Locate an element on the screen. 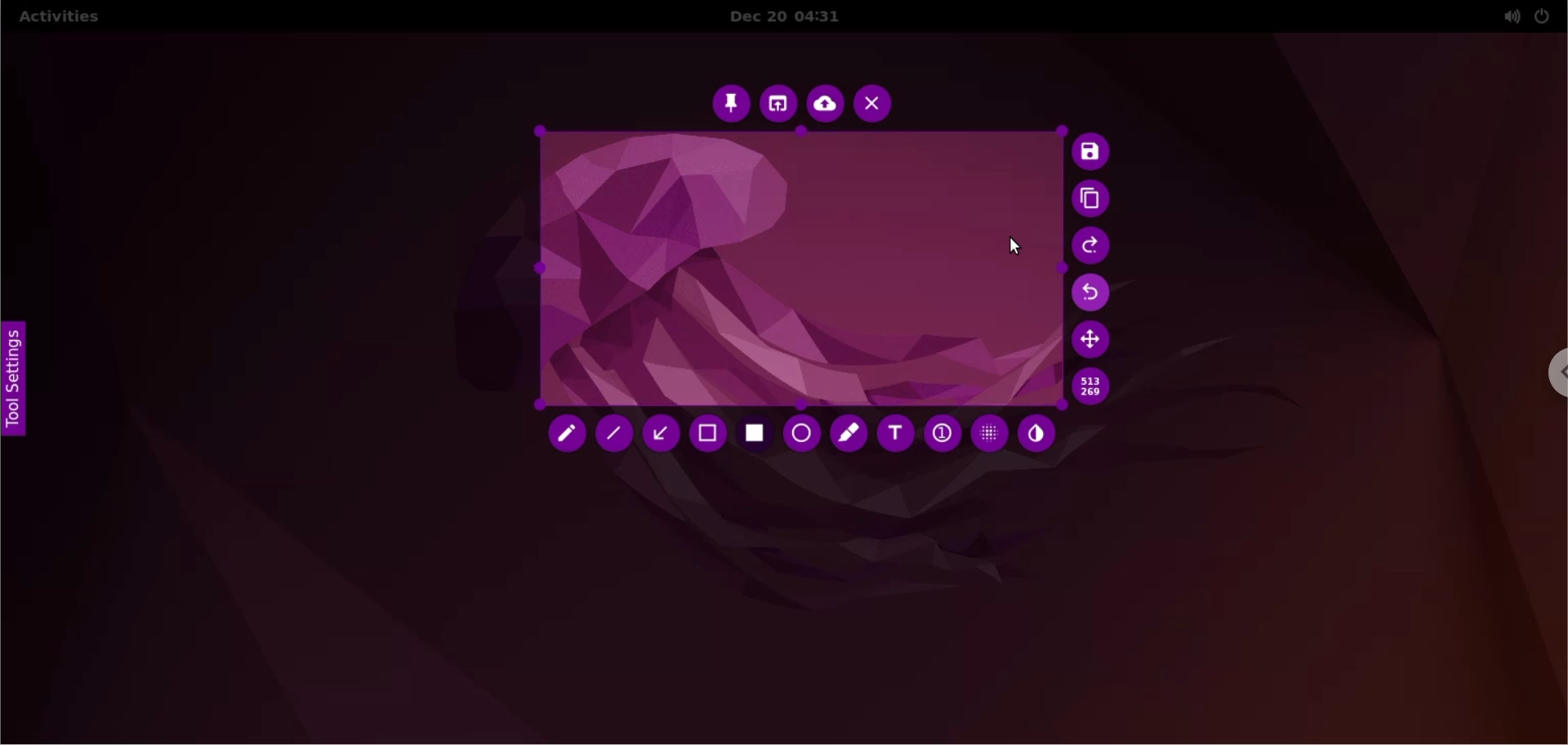 This screenshot has width=1568, height=745. save is located at coordinates (1092, 152).